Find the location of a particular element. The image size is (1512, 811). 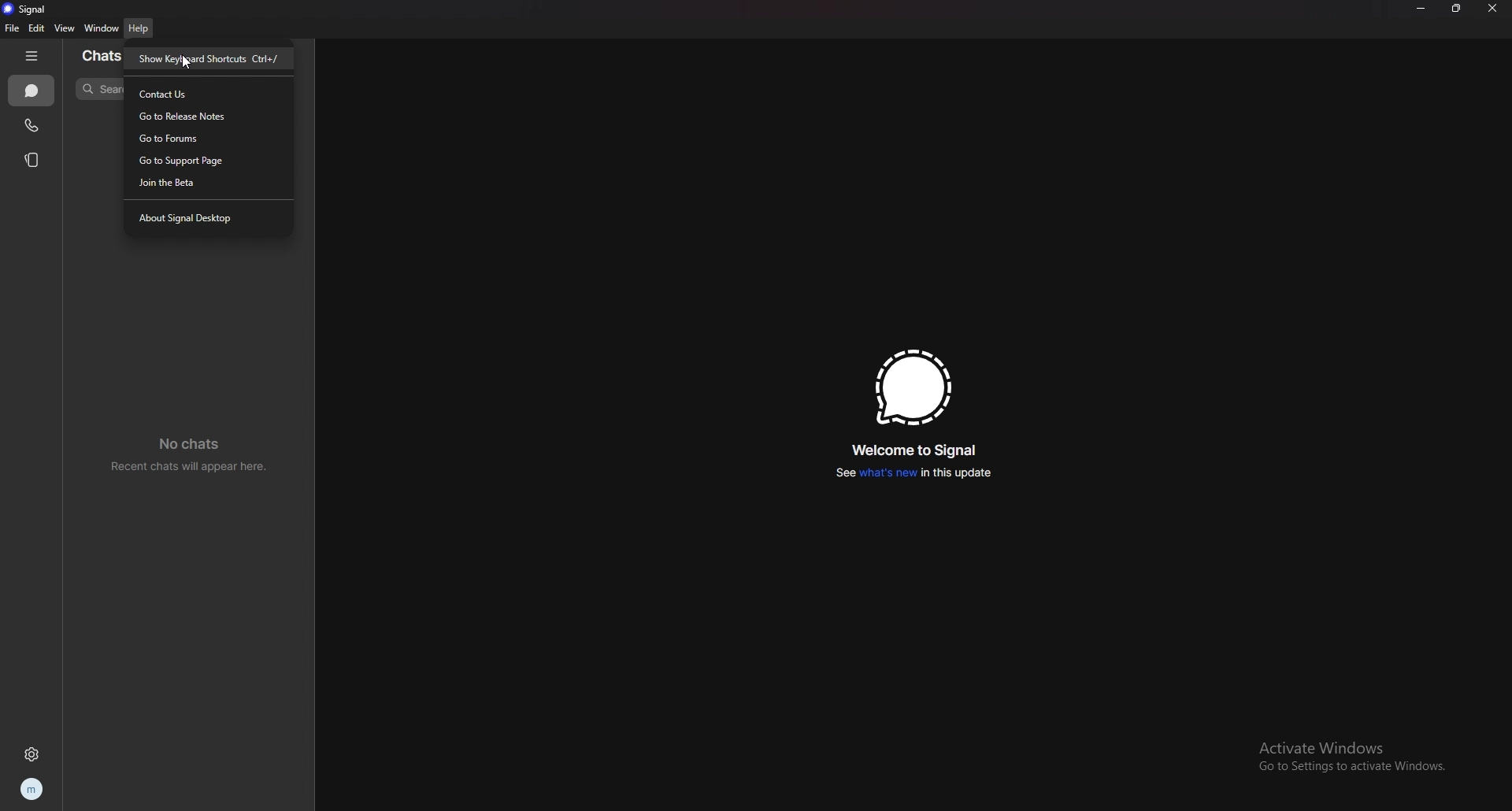

support page is located at coordinates (204, 162).